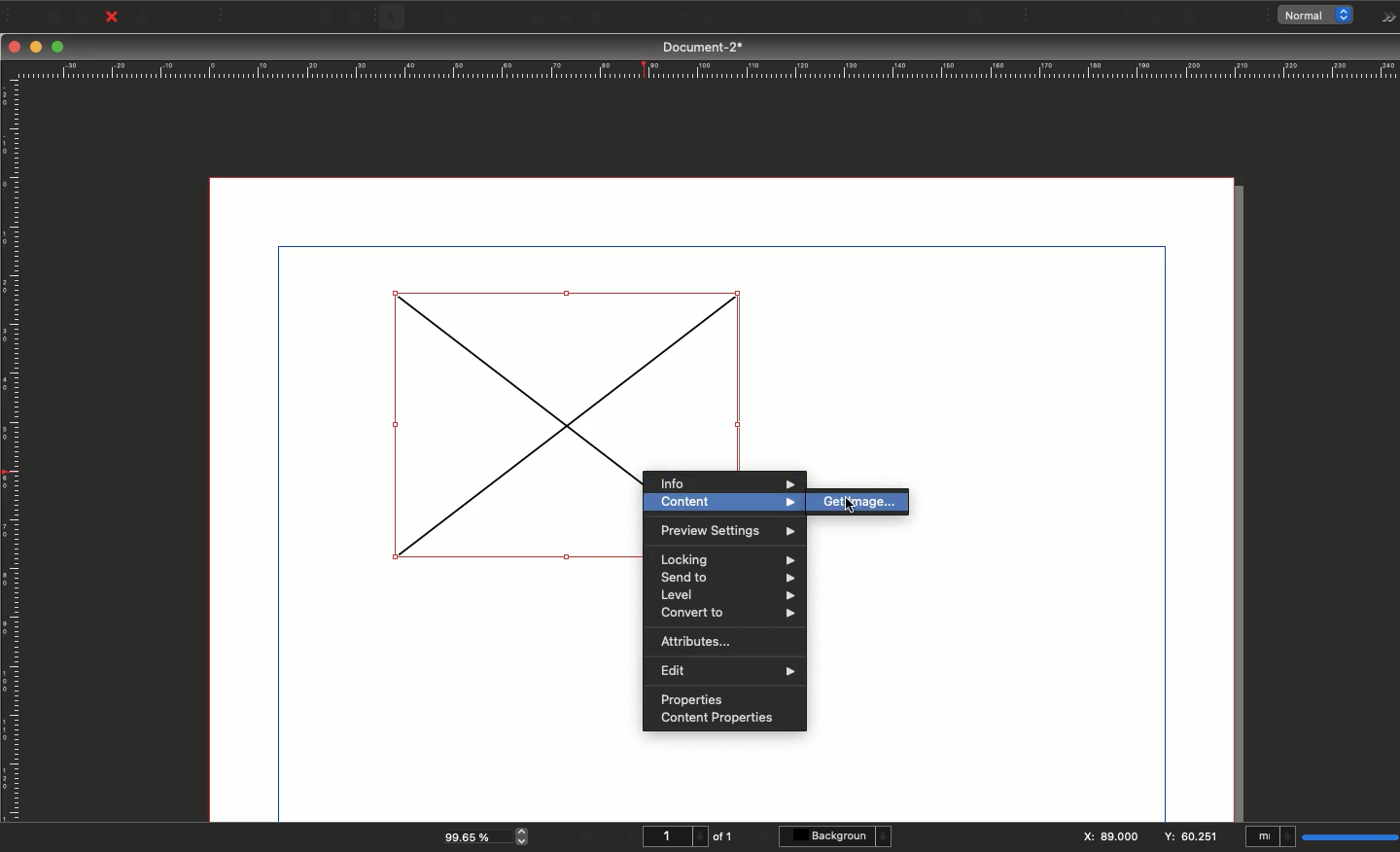 The height and width of the screenshot is (852, 1400). What do you see at coordinates (716, 720) in the screenshot?
I see `Content properties` at bounding box center [716, 720].